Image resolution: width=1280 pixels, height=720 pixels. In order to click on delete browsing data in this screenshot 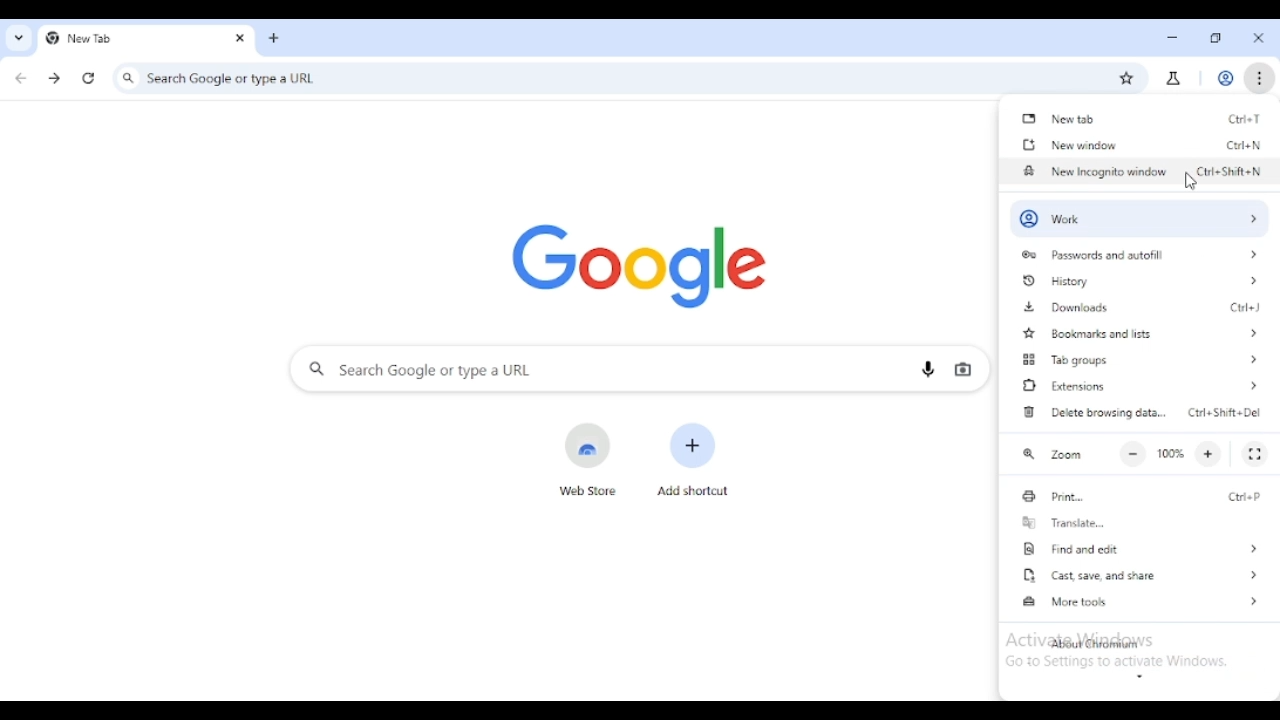, I will do `click(1093, 412)`.